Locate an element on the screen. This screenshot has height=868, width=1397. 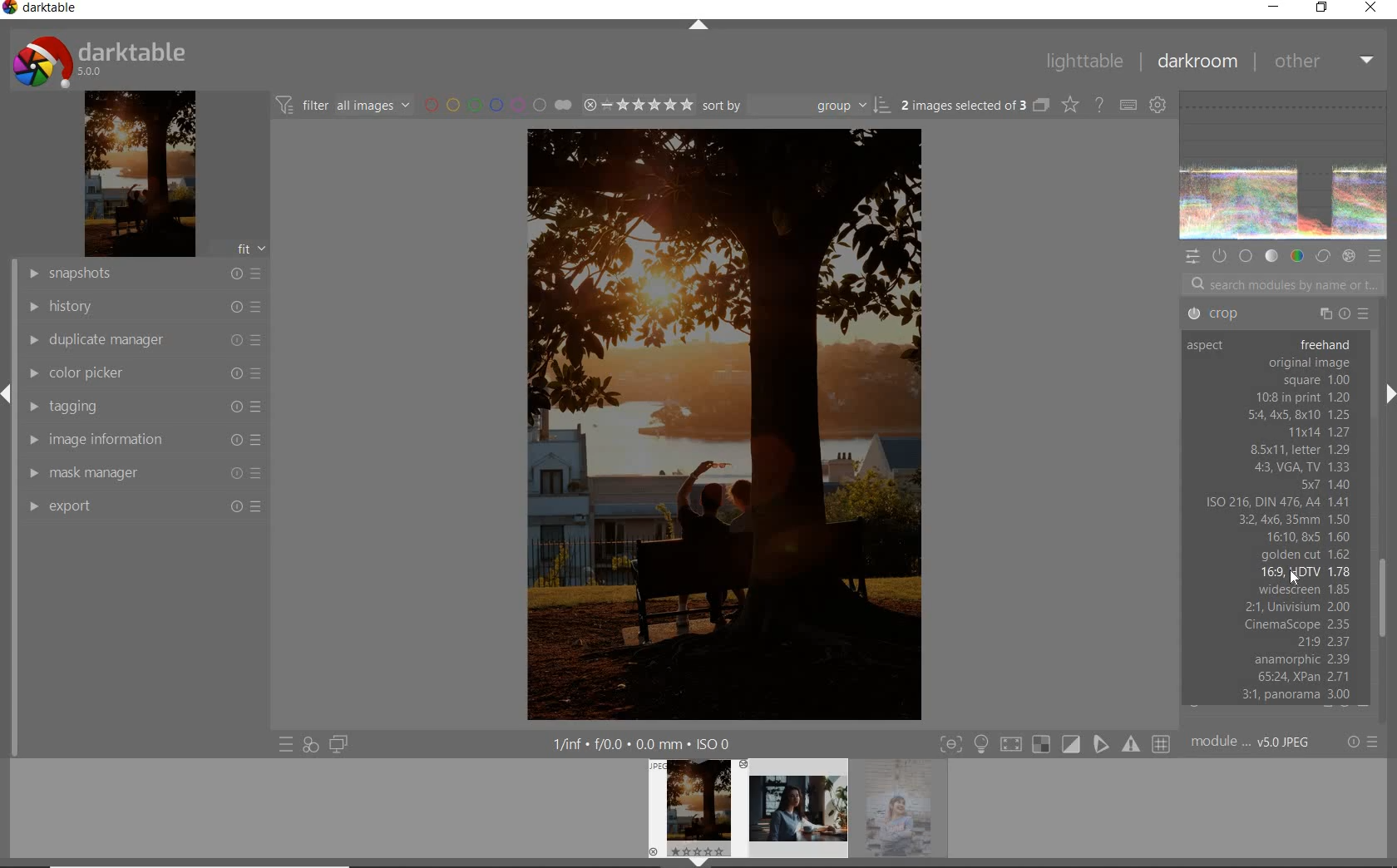
65:24 XPan 2.71 is located at coordinates (1274, 677).